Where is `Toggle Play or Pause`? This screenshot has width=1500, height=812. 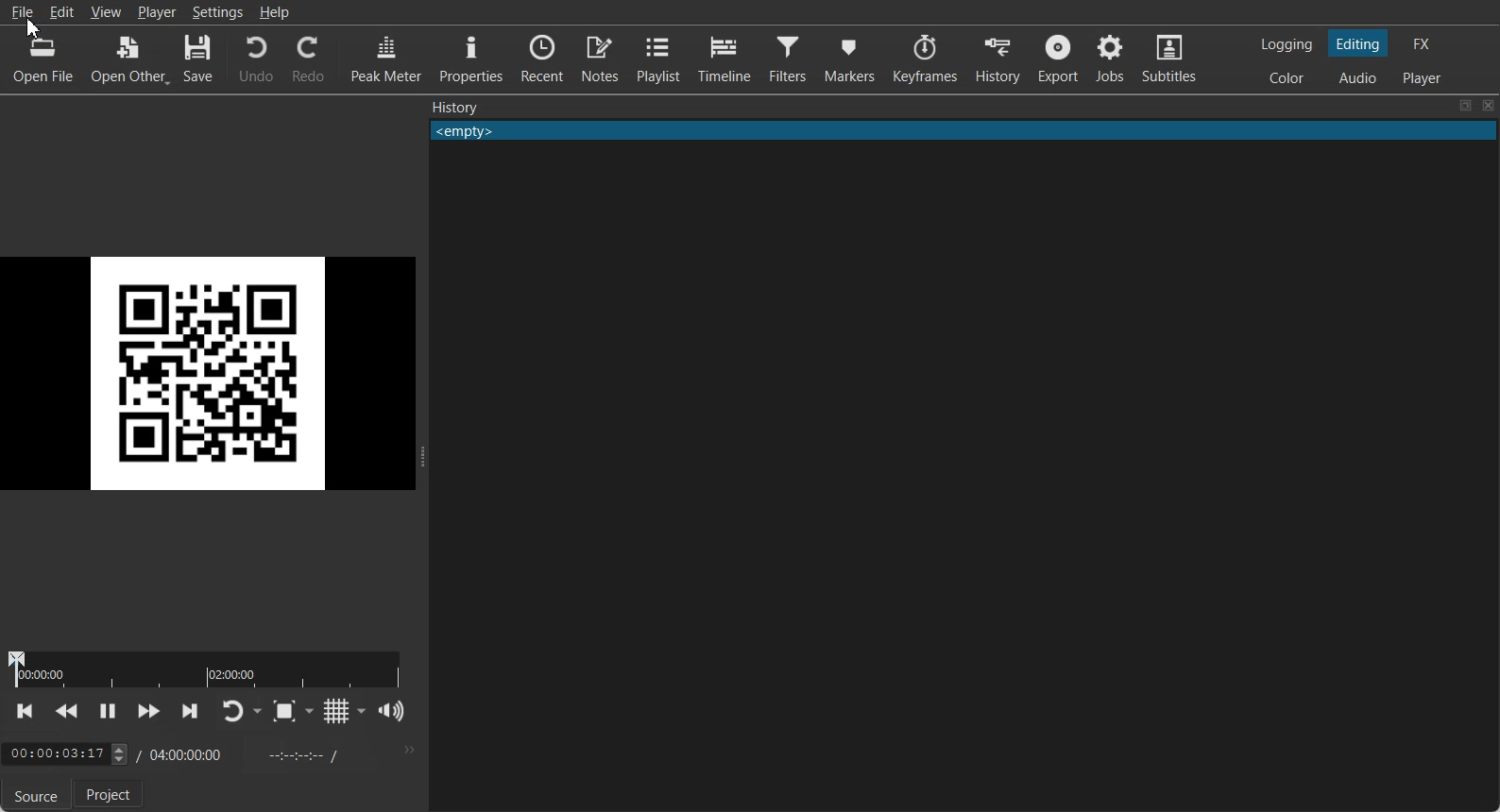 Toggle Play or Pause is located at coordinates (105, 713).